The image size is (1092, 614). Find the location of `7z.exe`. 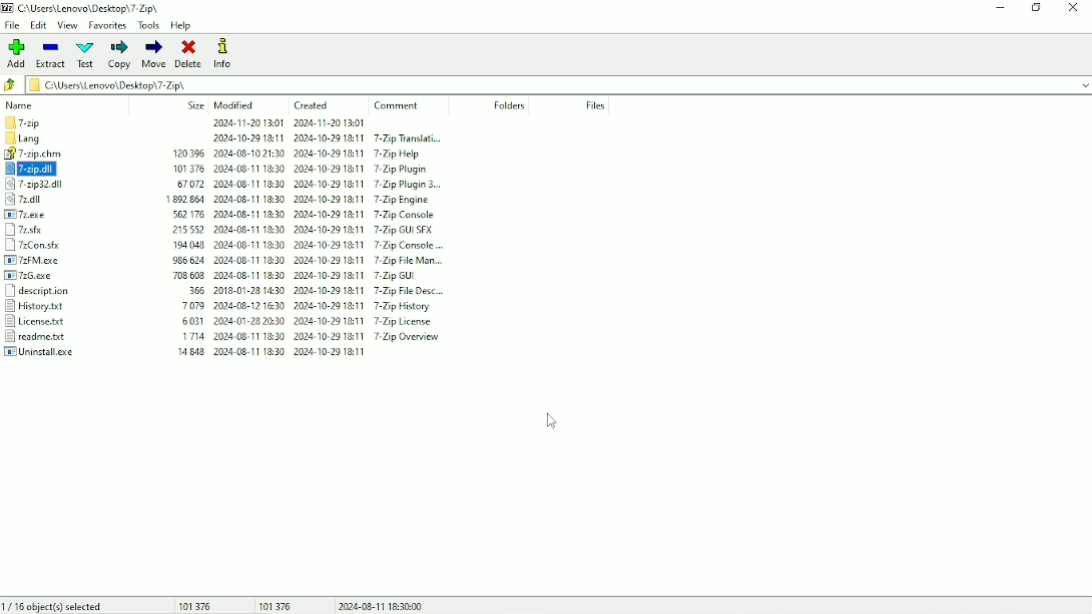

7z.exe is located at coordinates (49, 217).